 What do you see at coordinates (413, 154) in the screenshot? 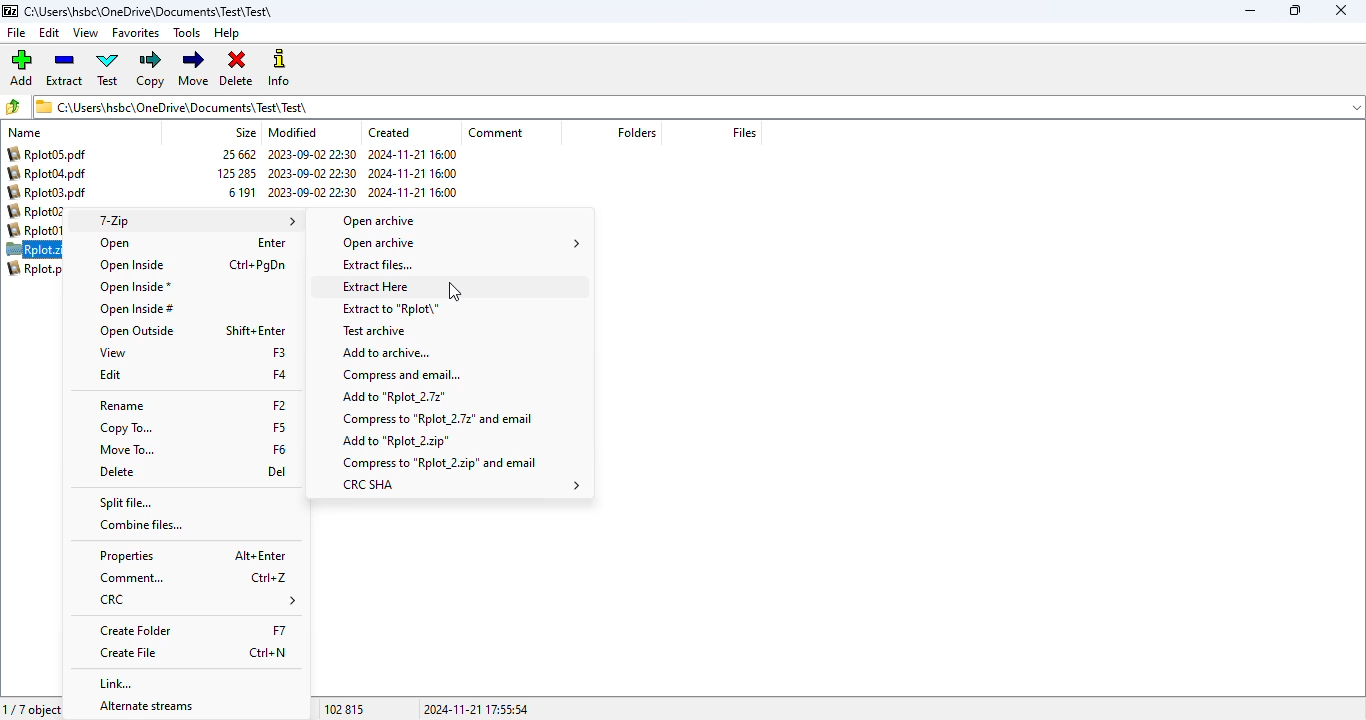
I see `2024-11-21 16:00` at bounding box center [413, 154].